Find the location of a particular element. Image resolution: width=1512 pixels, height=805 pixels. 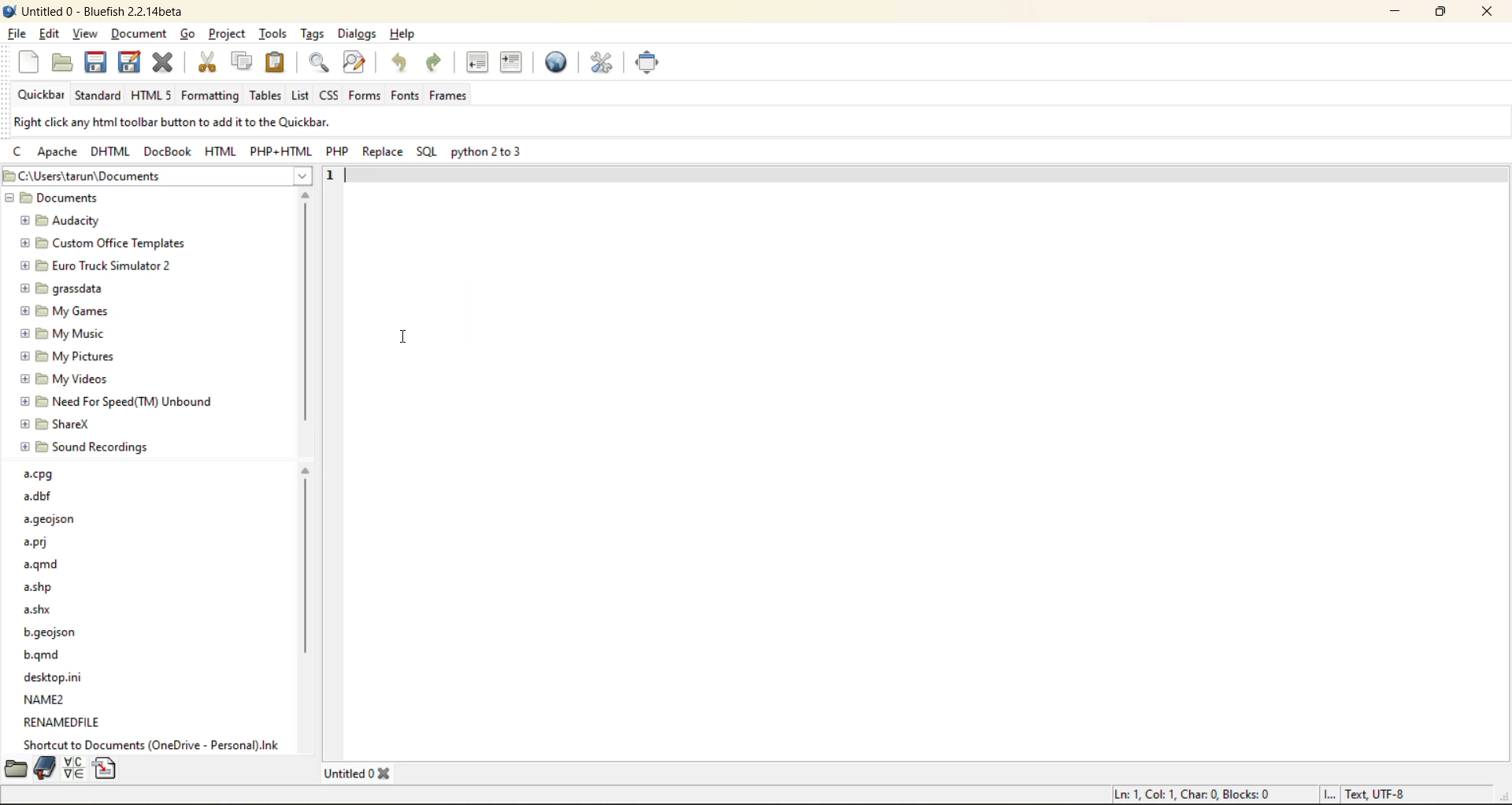

sound recordings is located at coordinates (85, 447).